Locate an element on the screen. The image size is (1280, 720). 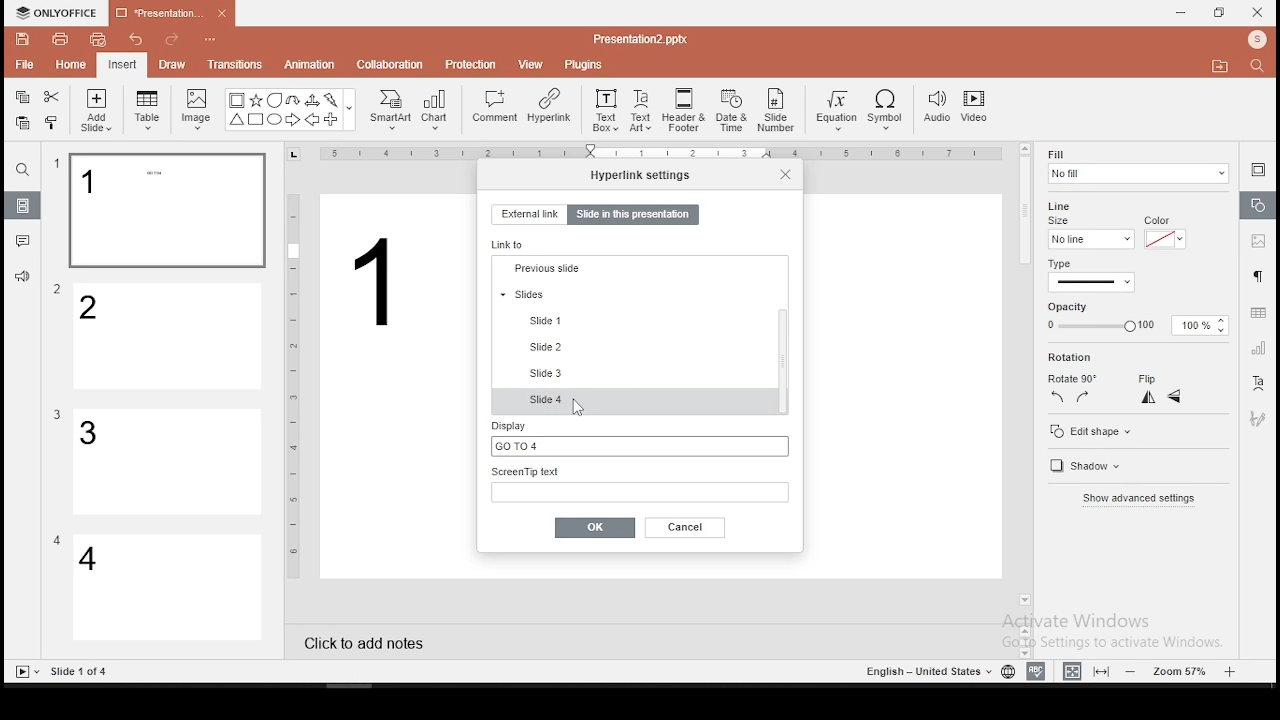
smart is located at coordinates (388, 110).